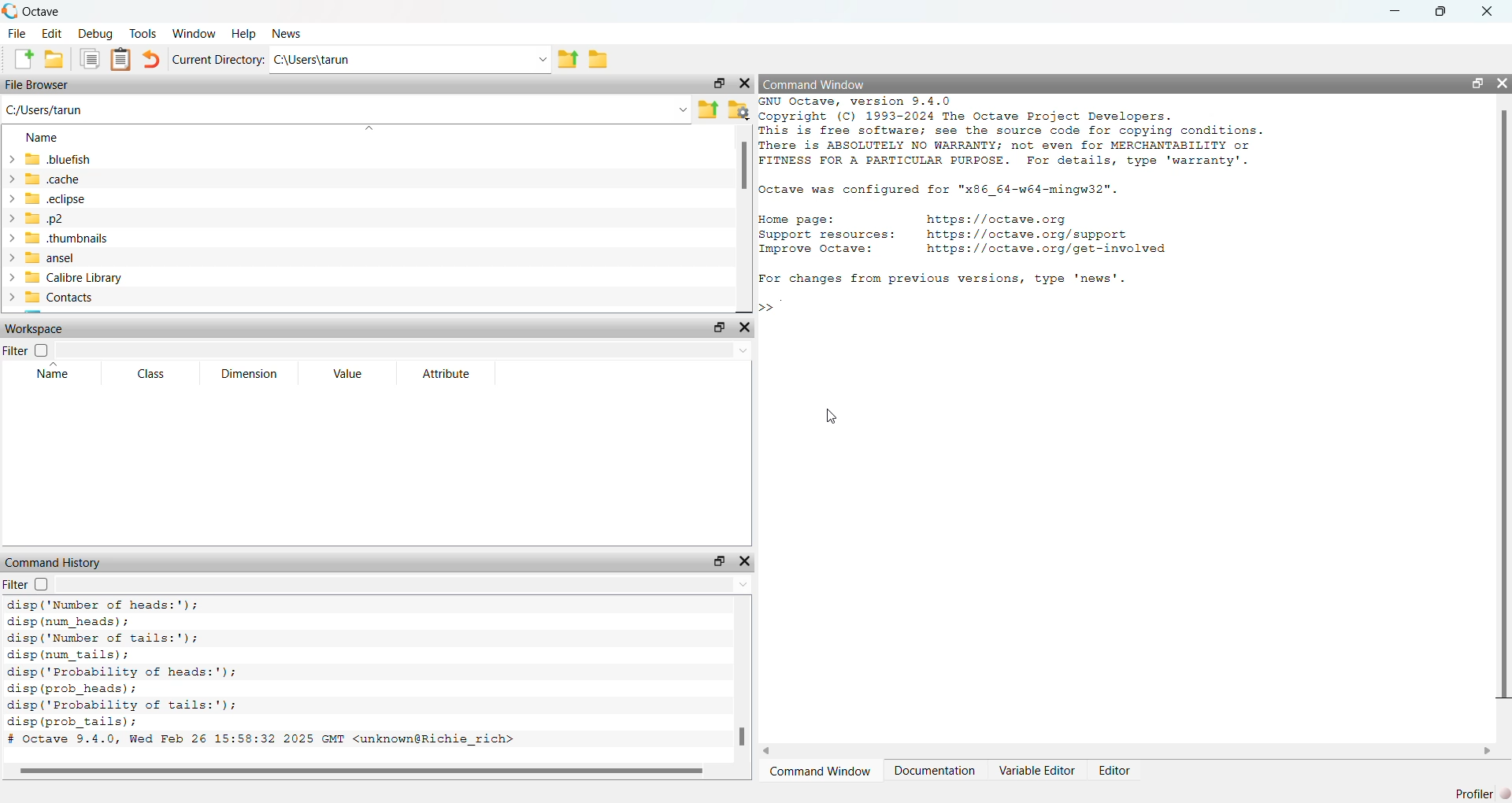 Image resolution: width=1512 pixels, height=803 pixels. Describe the element at coordinates (1442, 12) in the screenshot. I see `restore` at that location.